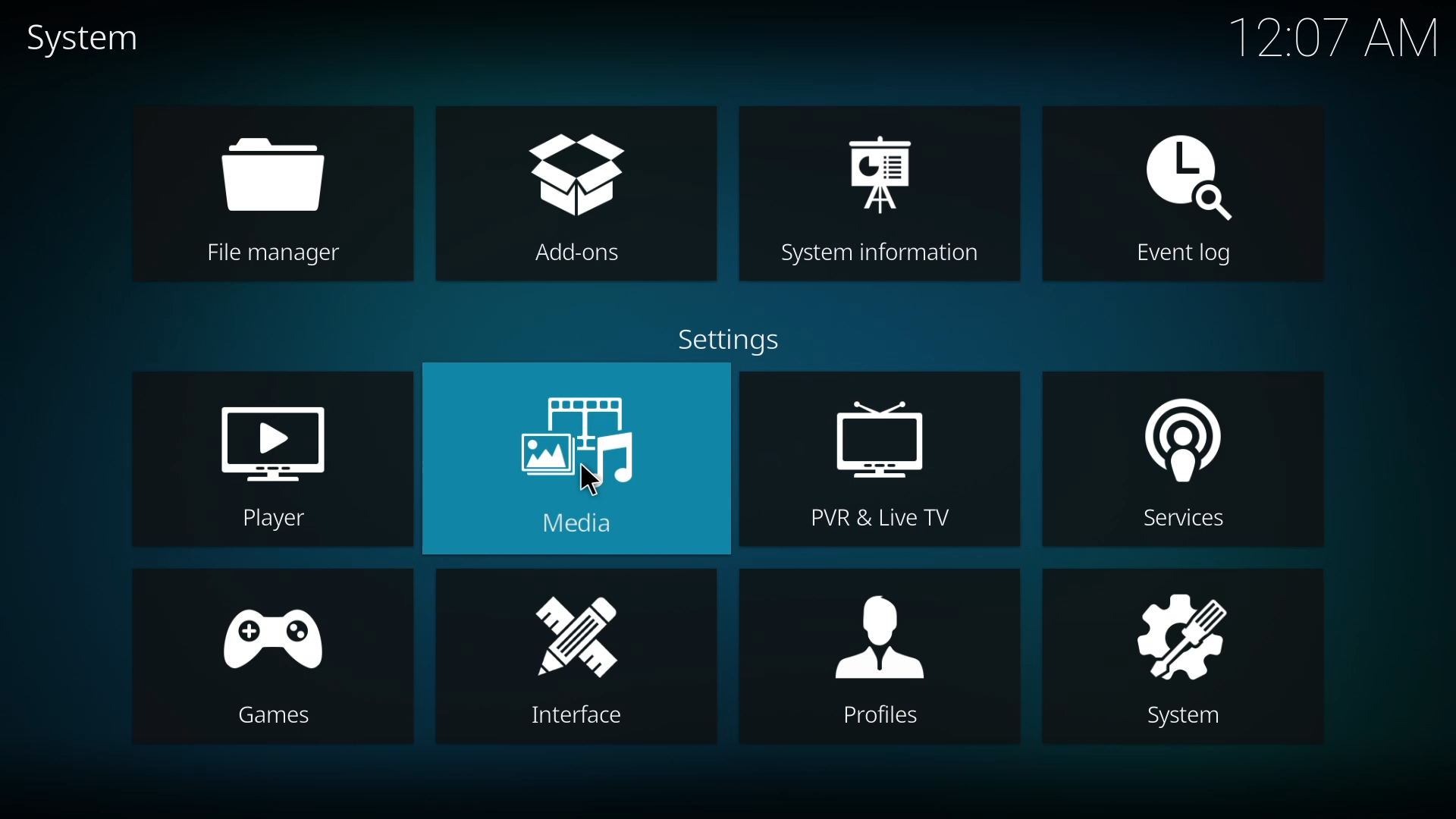 This screenshot has height=819, width=1456. What do you see at coordinates (1178, 656) in the screenshot?
I see `system` at bounding box center [1178, 656].